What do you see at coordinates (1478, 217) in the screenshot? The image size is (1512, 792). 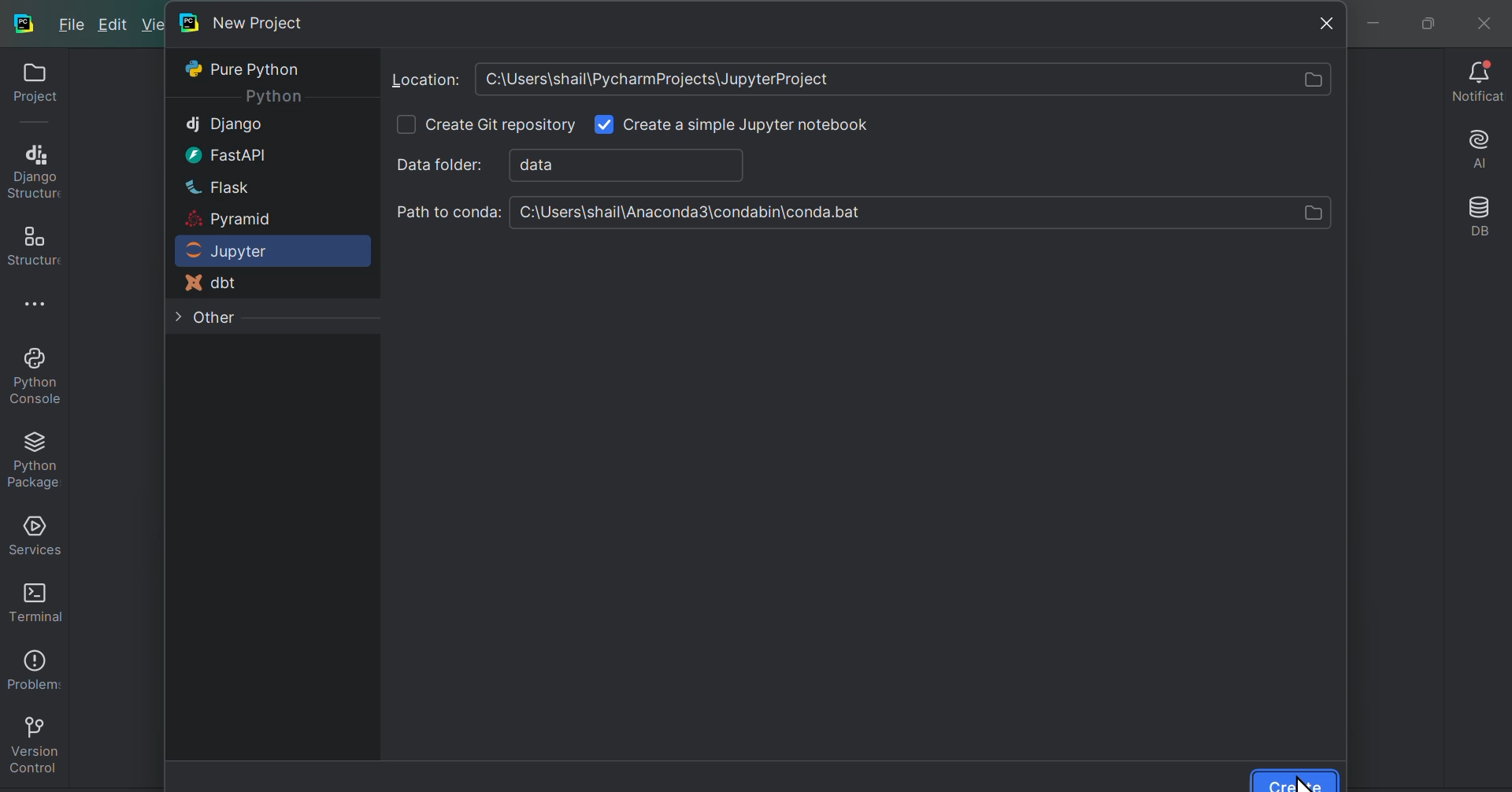 I see `Database` at bounding box center [1478, 217].